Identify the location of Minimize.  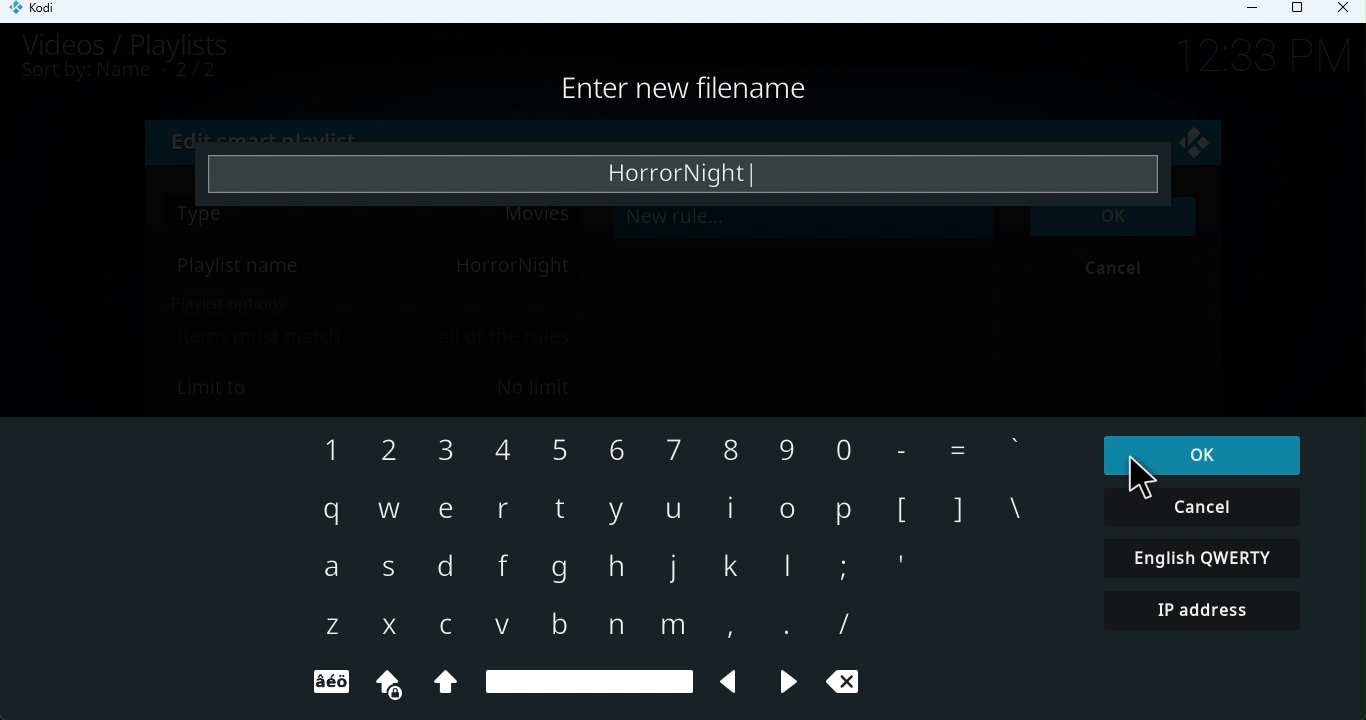
(1259, 13).